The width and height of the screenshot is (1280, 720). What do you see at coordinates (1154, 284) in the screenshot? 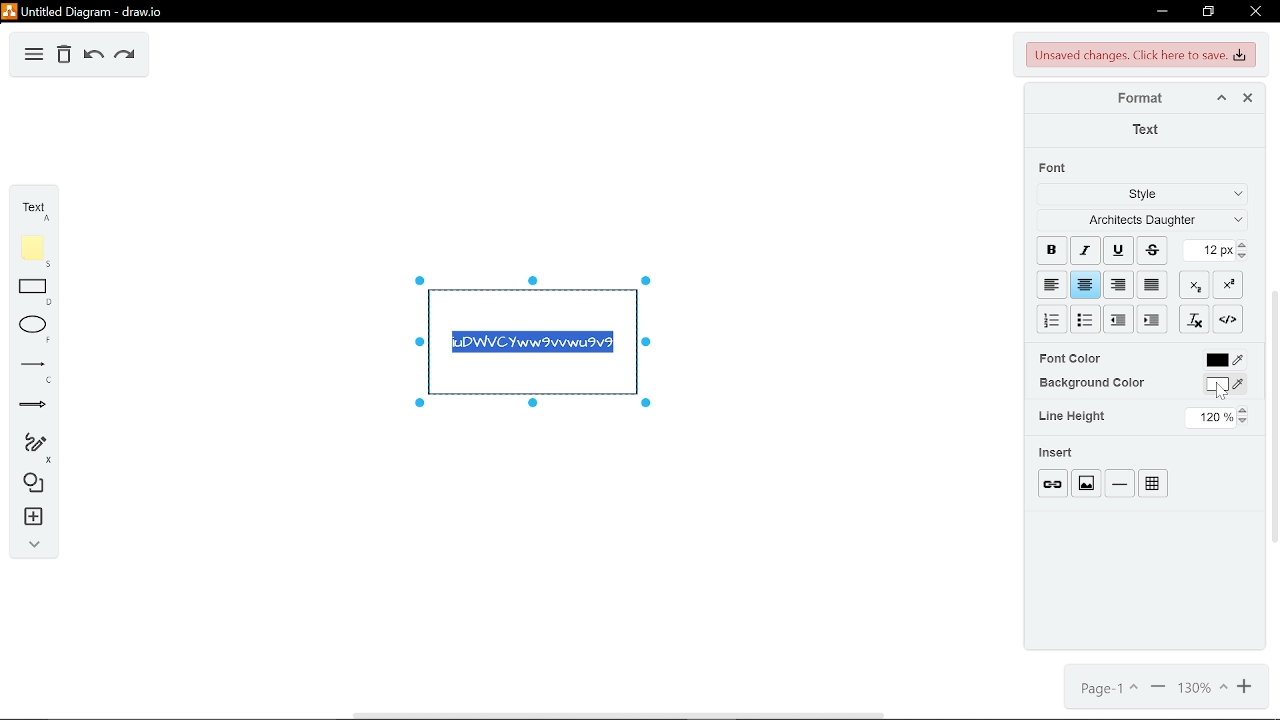
I see `justified` at bounding box center [1154, 284].